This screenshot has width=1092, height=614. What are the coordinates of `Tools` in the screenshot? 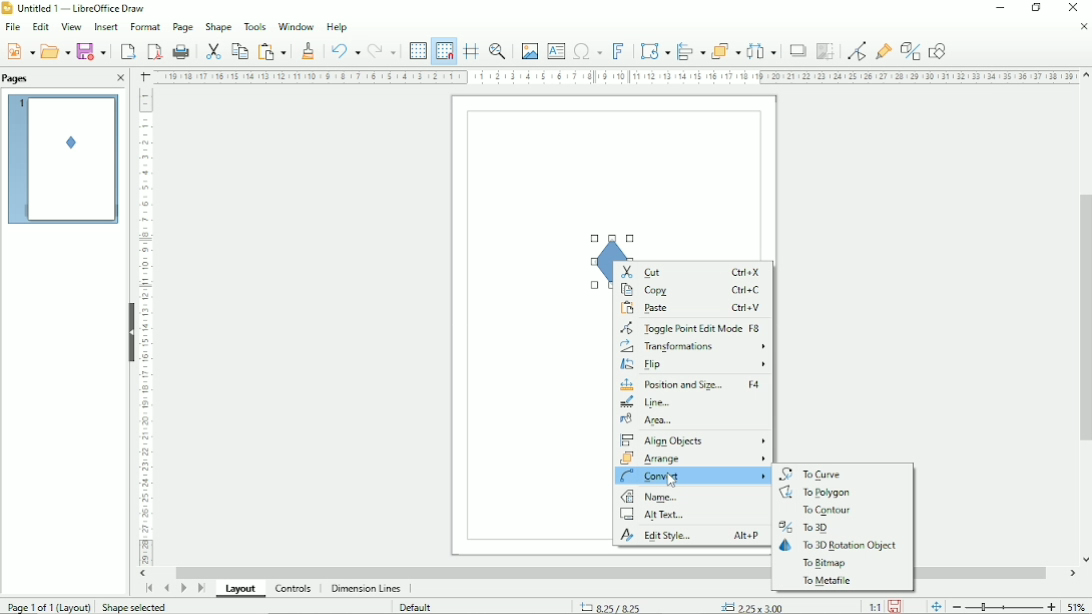 It's located at (254, 26).